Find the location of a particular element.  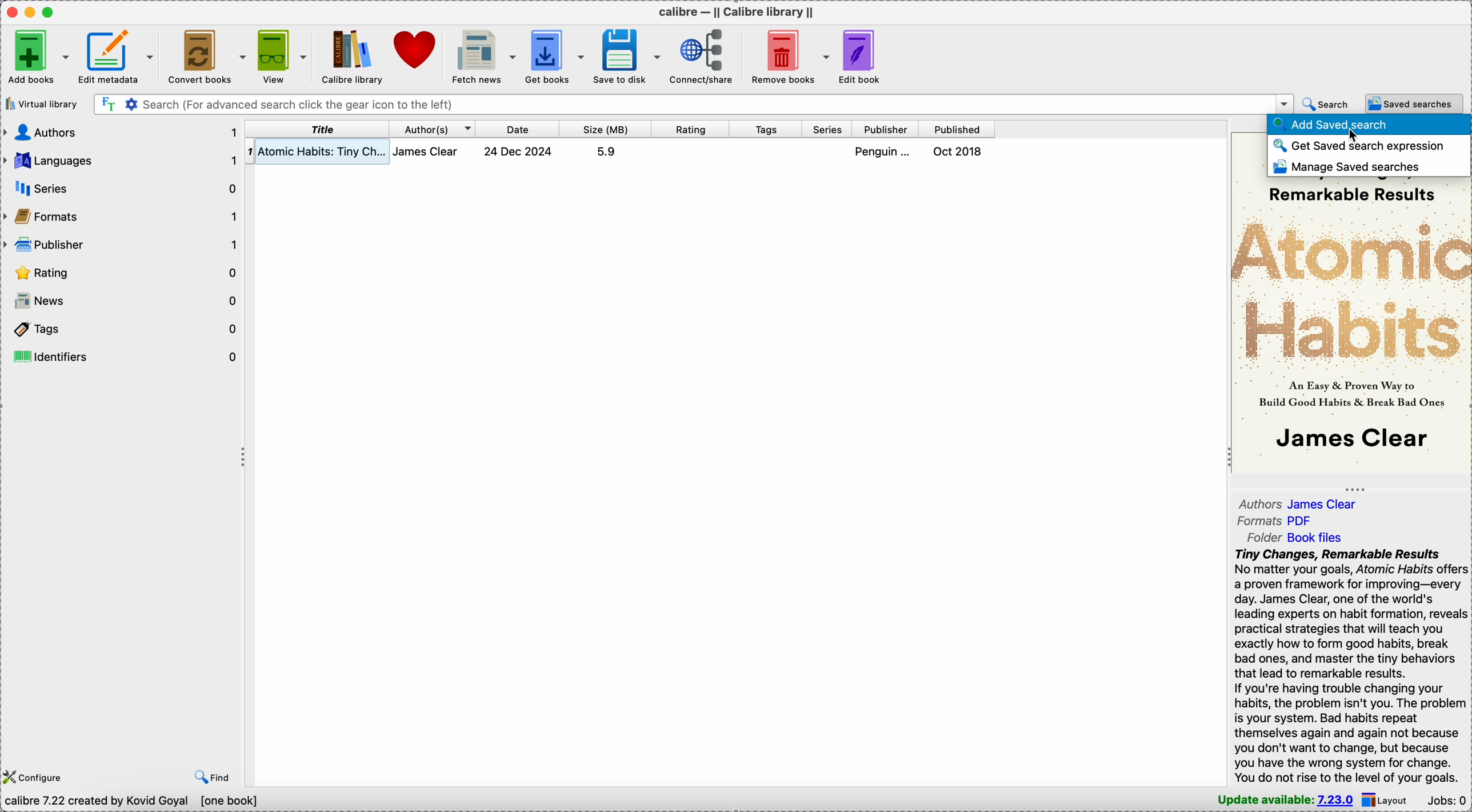

Tiny Changes, Remarkable Results

No matter your goals, Atomic Habits offer:
a proven framework for improving—every
day. James Clear, one of the world's
leading experts on habit formation, reveals
practical strategies that will teach you
exactly how to form good habits, break
bad ones, and master the tiny behaviors
that lead to remarkable results.

If you're having trouble changing your
habits, the problem isn't you. The problem
is your system. Bad habits repeat
themselves again and again not because
you don't want to change, but because
you have the wrong system for change.
You do not rise to the level of vour goals. is located at coordinates (1345, 663).